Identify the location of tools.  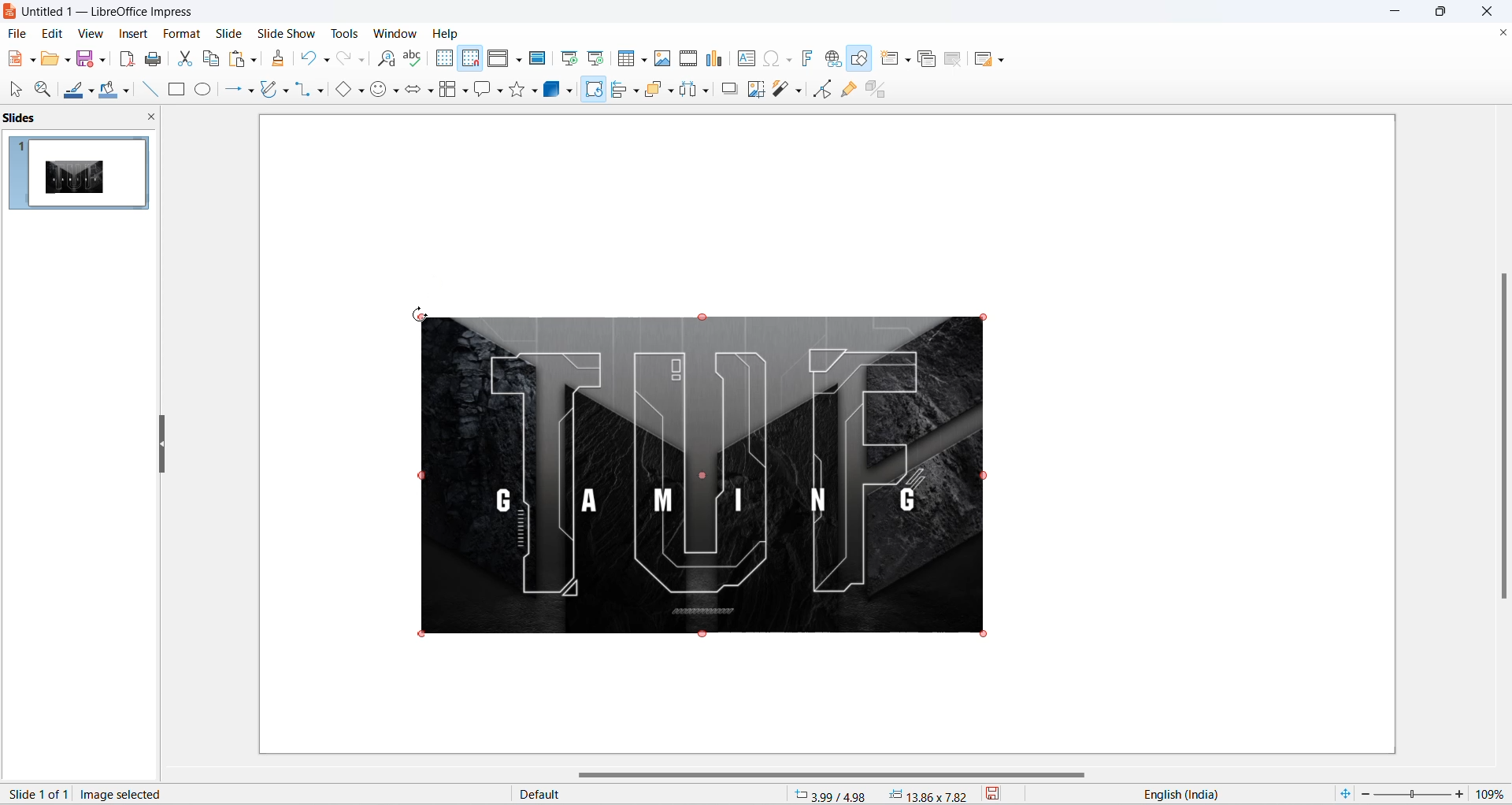
(350, 33).